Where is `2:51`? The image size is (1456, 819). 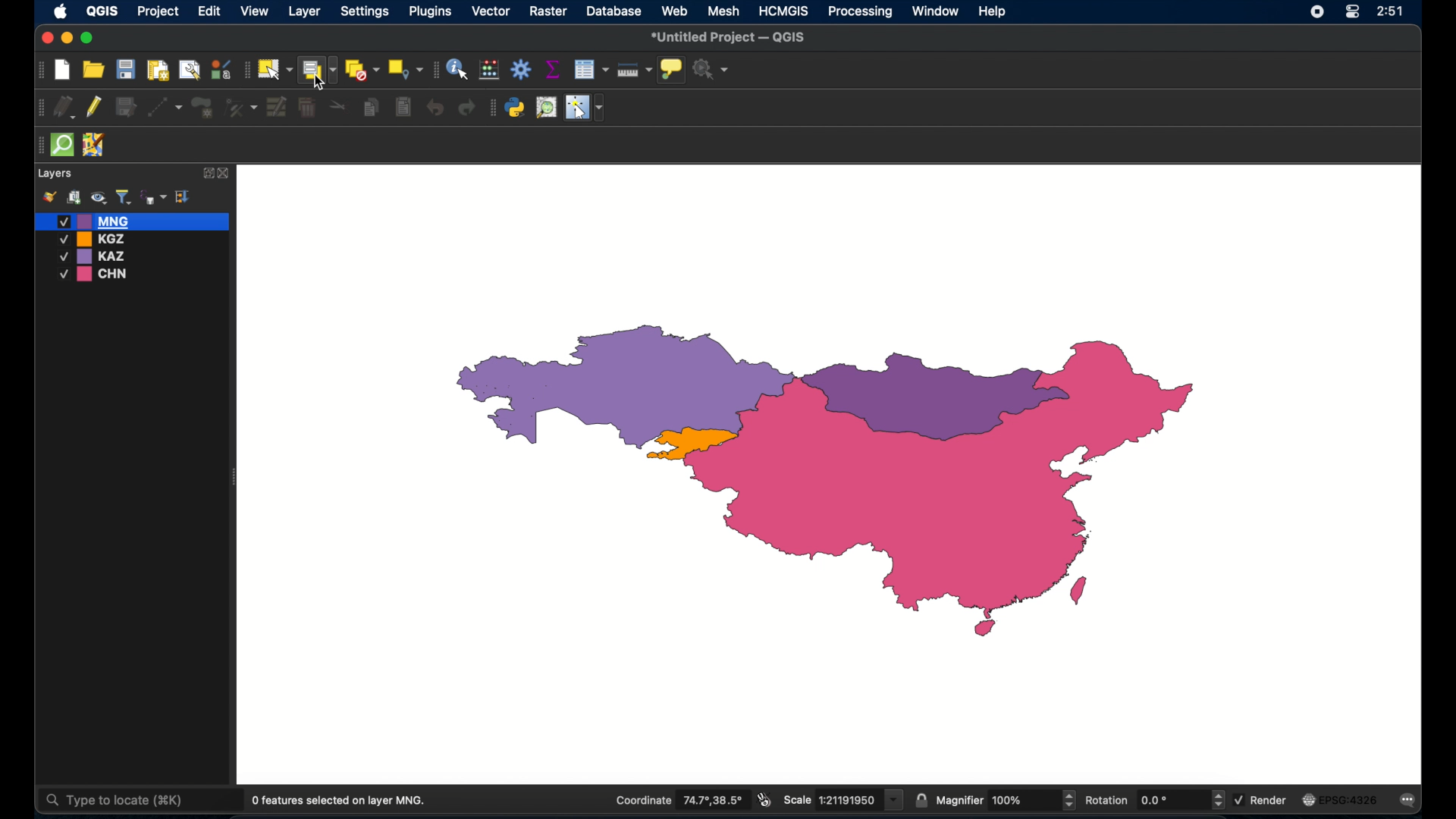
2:51 is located at coordinates (1389, 12).